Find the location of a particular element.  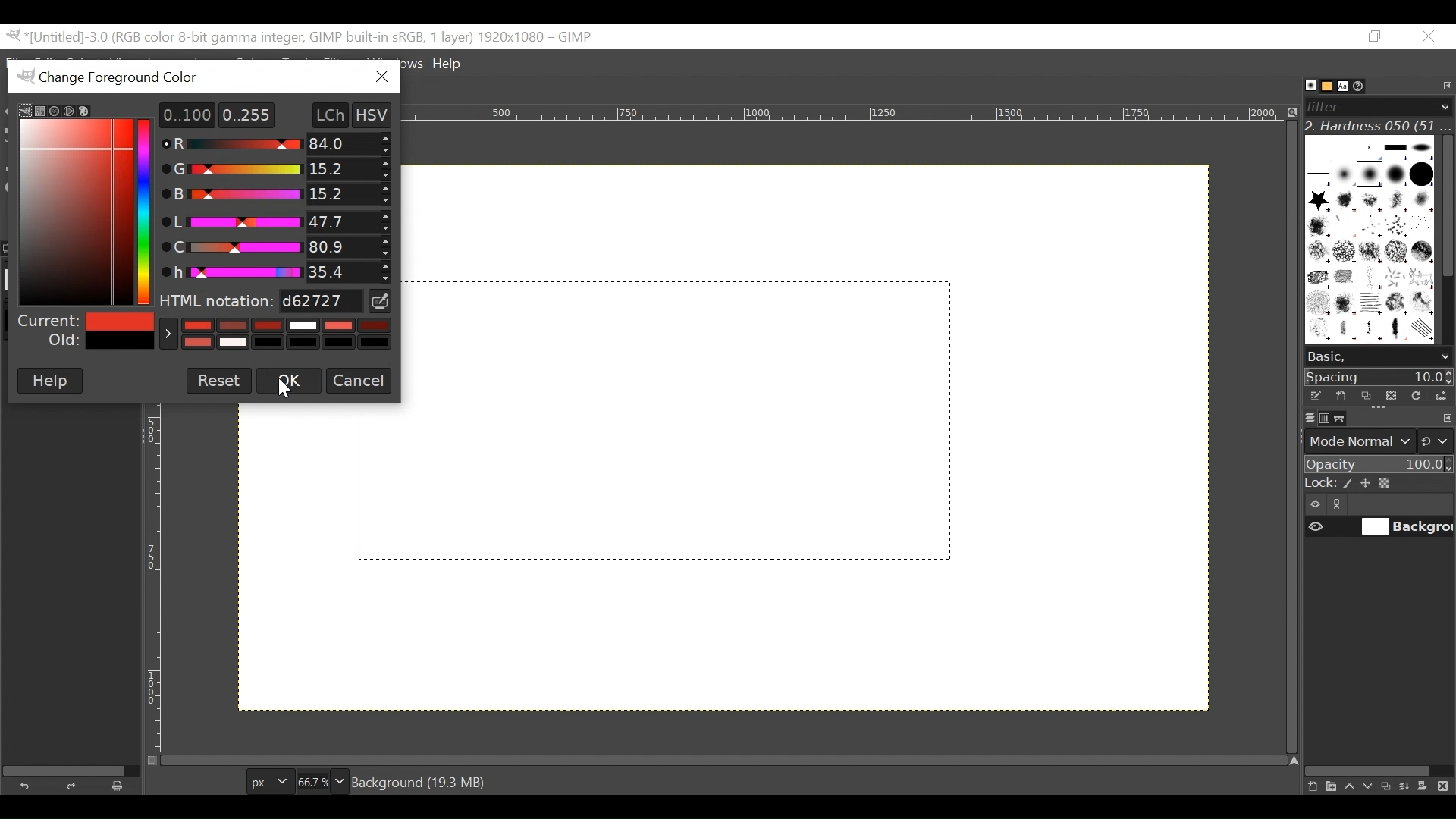

Create a new brush  is located at coordinates (1340, 396).